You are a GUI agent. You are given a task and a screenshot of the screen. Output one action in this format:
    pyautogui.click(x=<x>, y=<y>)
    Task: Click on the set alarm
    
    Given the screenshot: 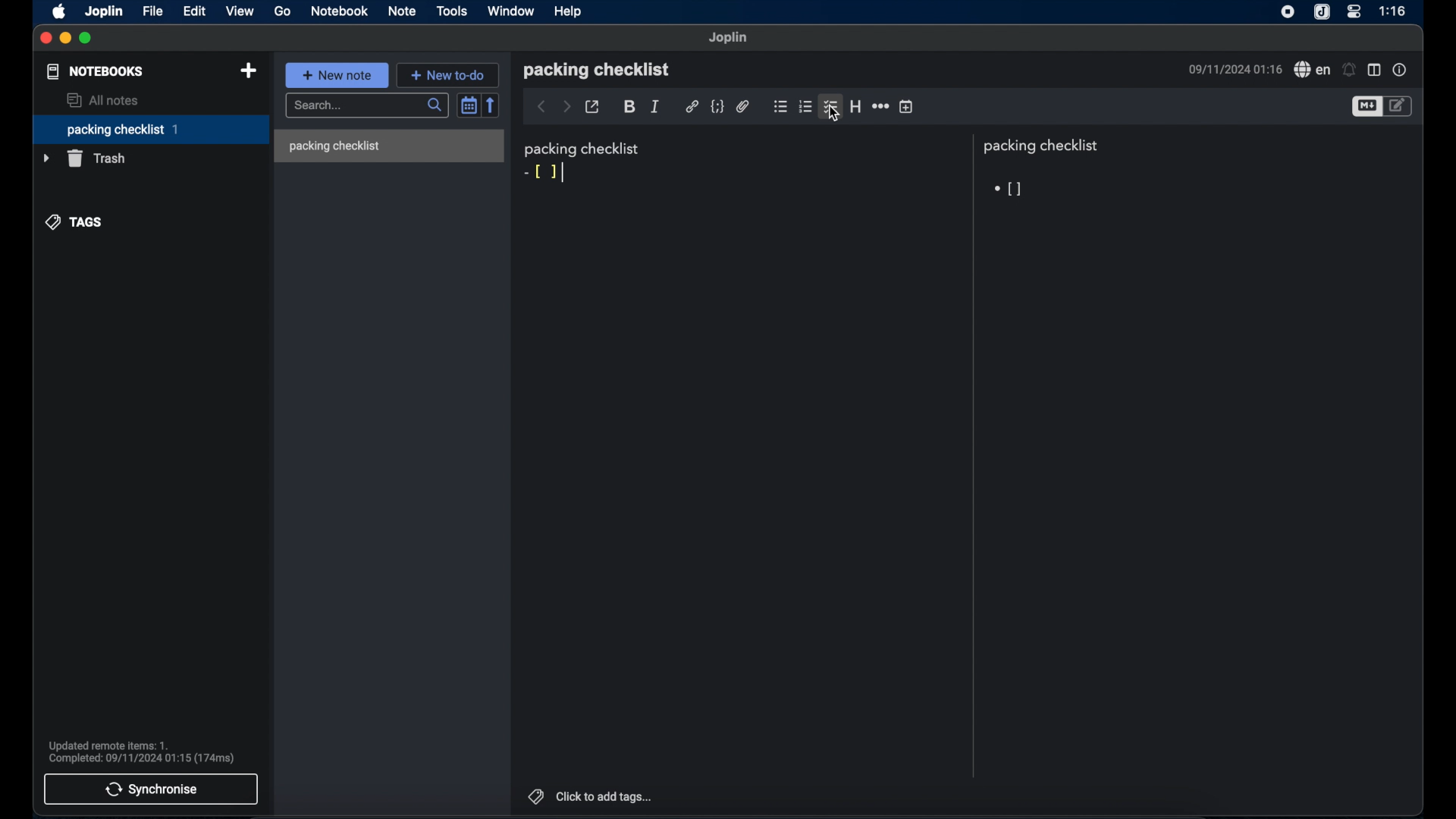 What is the action you would take?
    pyautogui.click(x=1349, y=69)
    